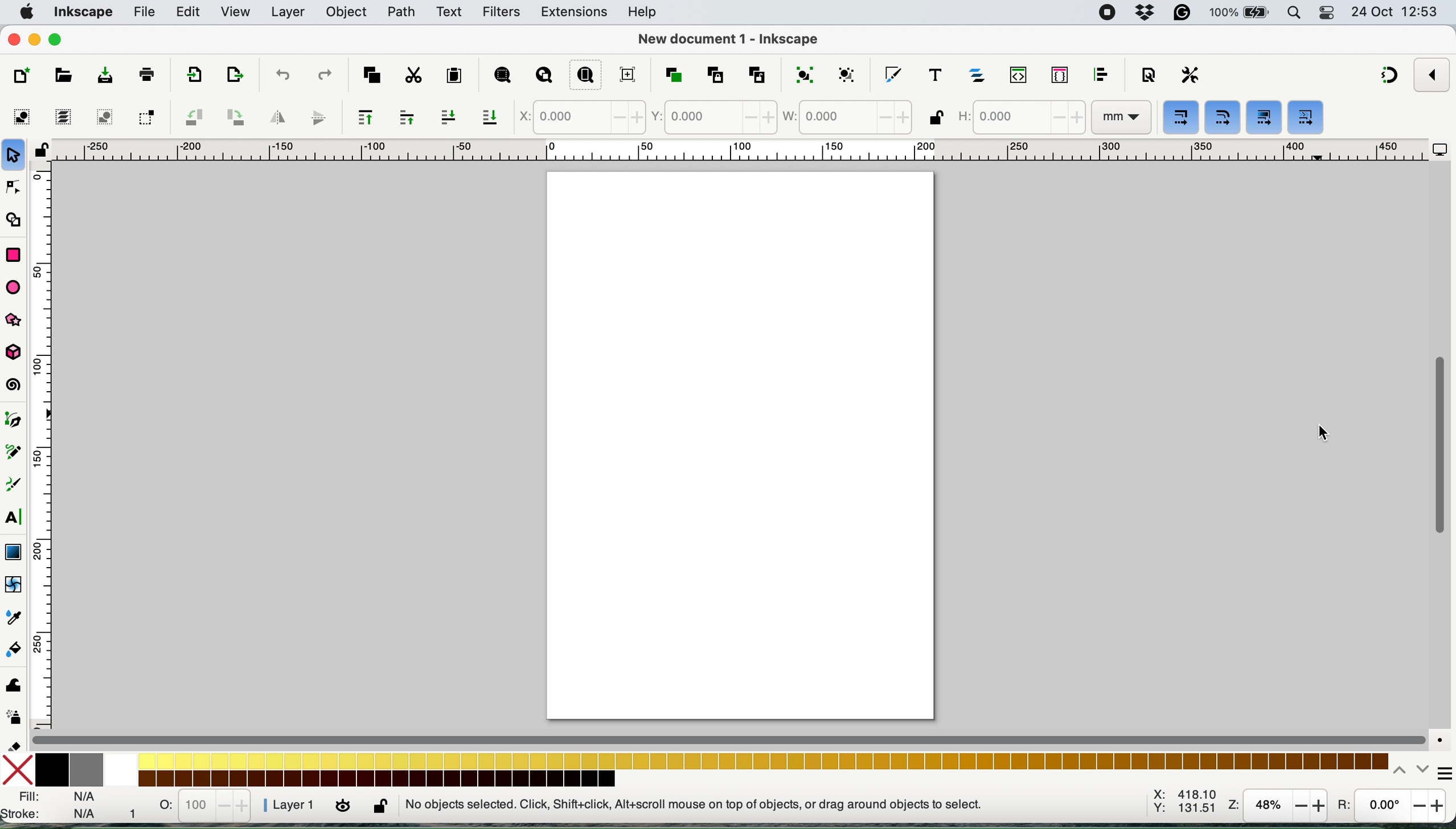  Describe the element at coordinates (583, 75) in the screenshot. I see `zoom page` at that location.